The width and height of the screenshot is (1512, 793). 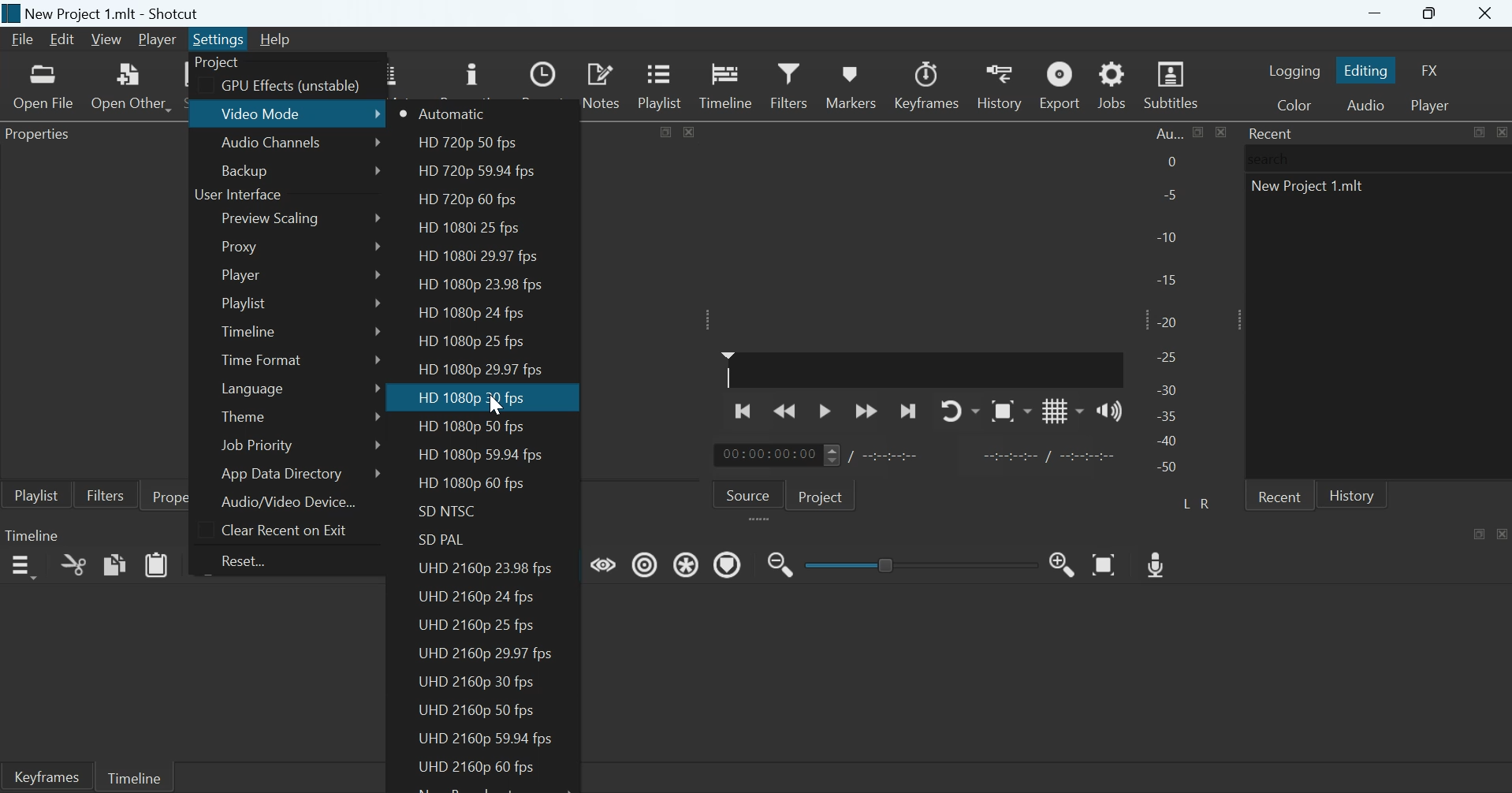 What do you see at coordinates (689, 131) in the screenshot?
I see `close` at bounding box center [689, 131].